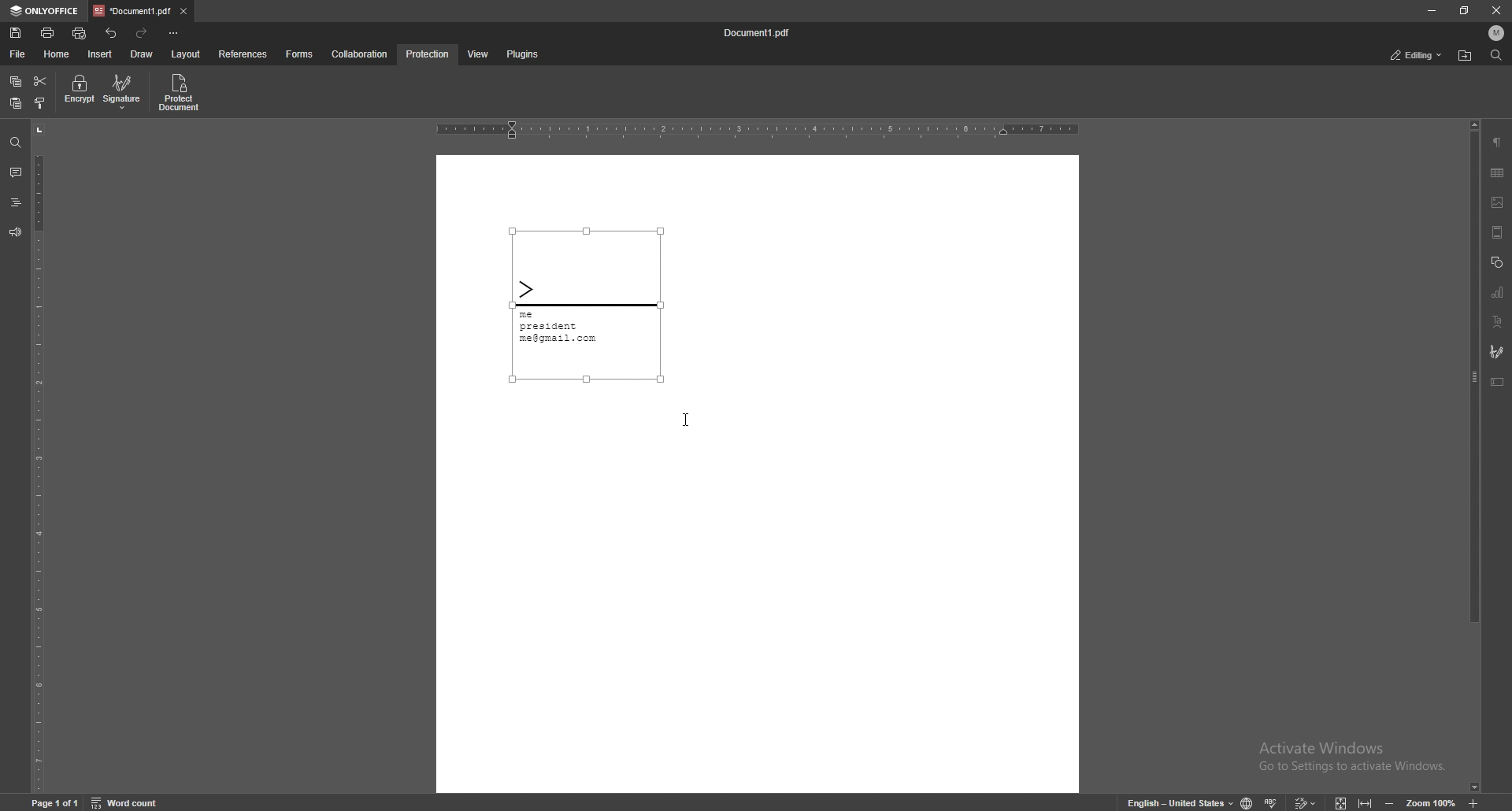  Describe the element at coordinates (1273, 799) in the screenshot. I see `spell check` at that location.